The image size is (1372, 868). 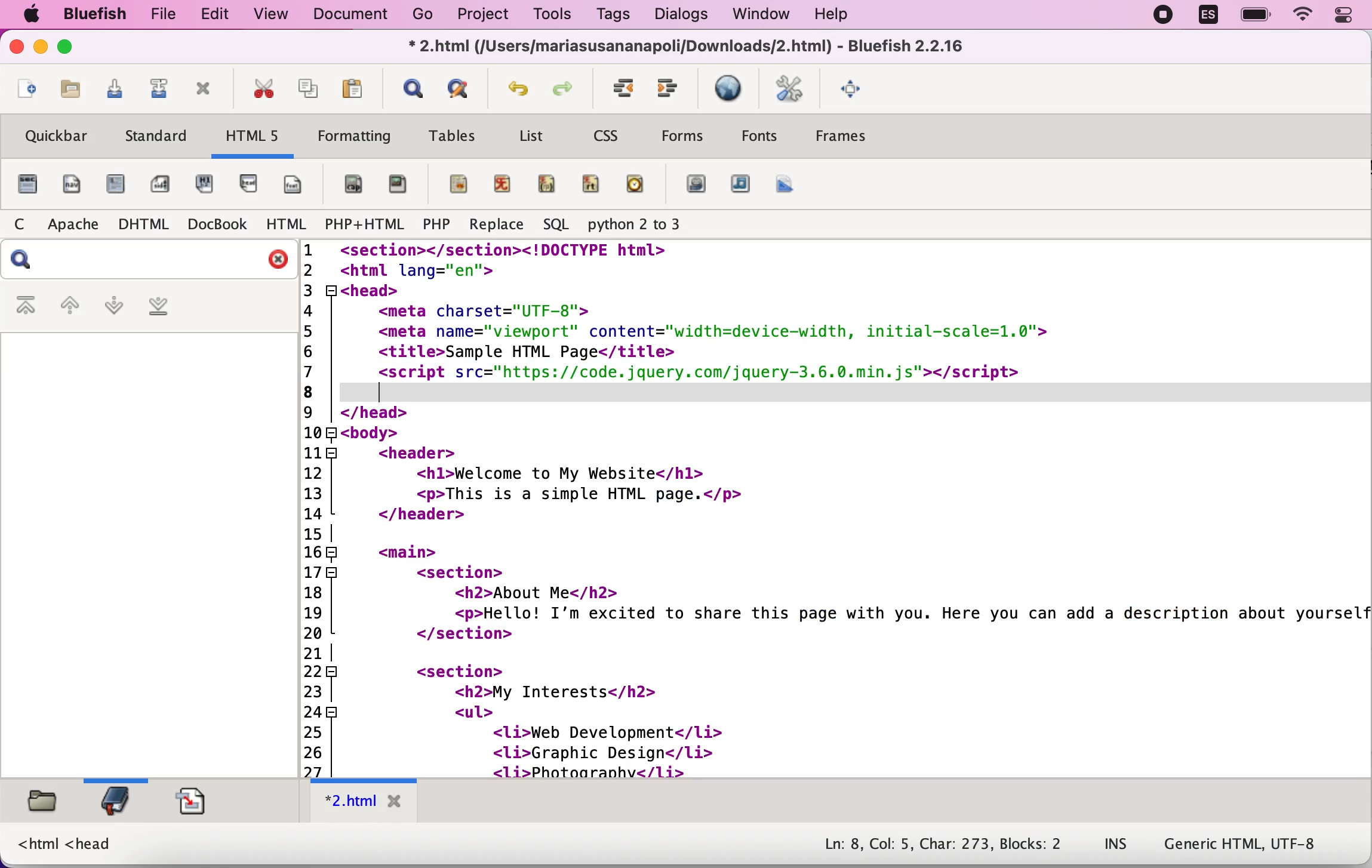 What do you see at coordinates (400, 184) in the screenshot?
I see `figure` at bounding box center [400, 184].